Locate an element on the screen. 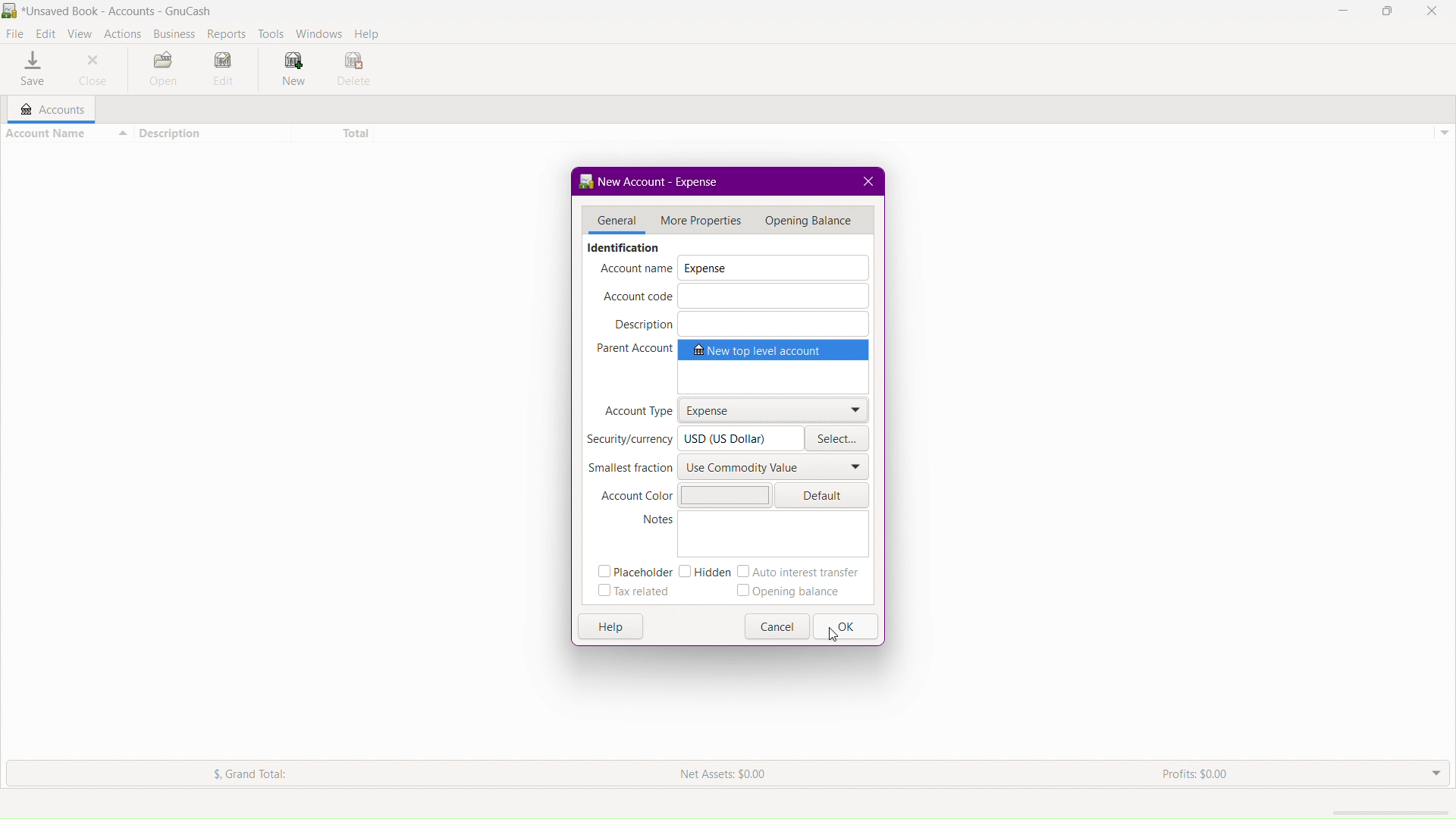  Business is located at coordinates (171, 30).